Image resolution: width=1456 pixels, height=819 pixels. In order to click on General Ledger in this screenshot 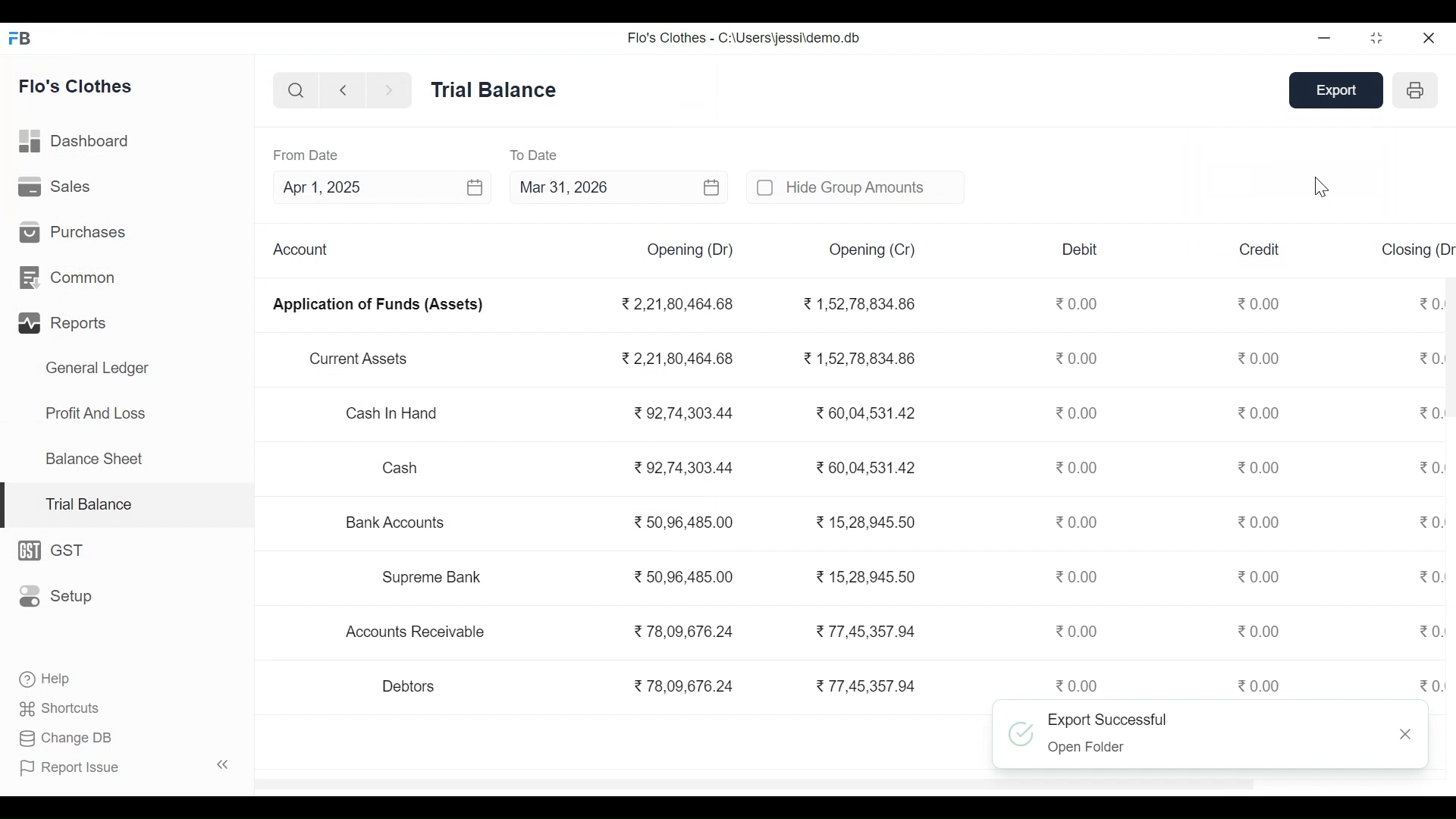, I will do `click(97, 368)`.